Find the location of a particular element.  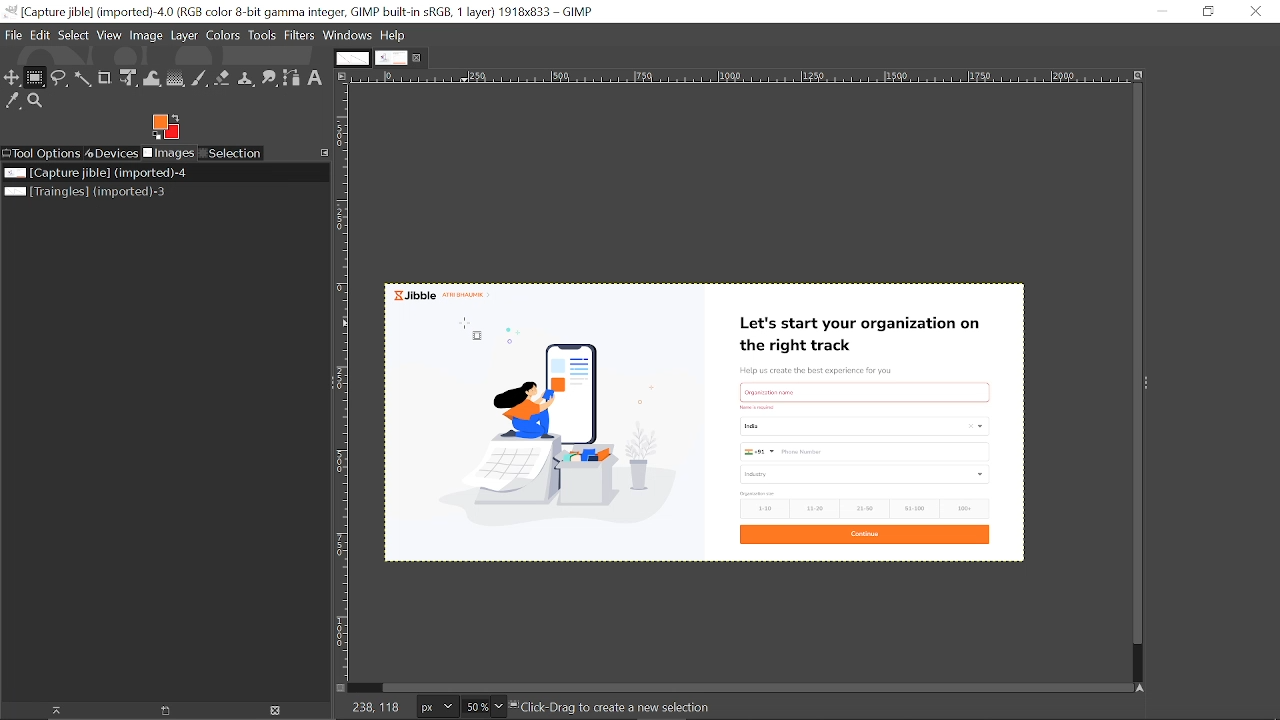

Gradient tool is located at coordinates (176, 78).